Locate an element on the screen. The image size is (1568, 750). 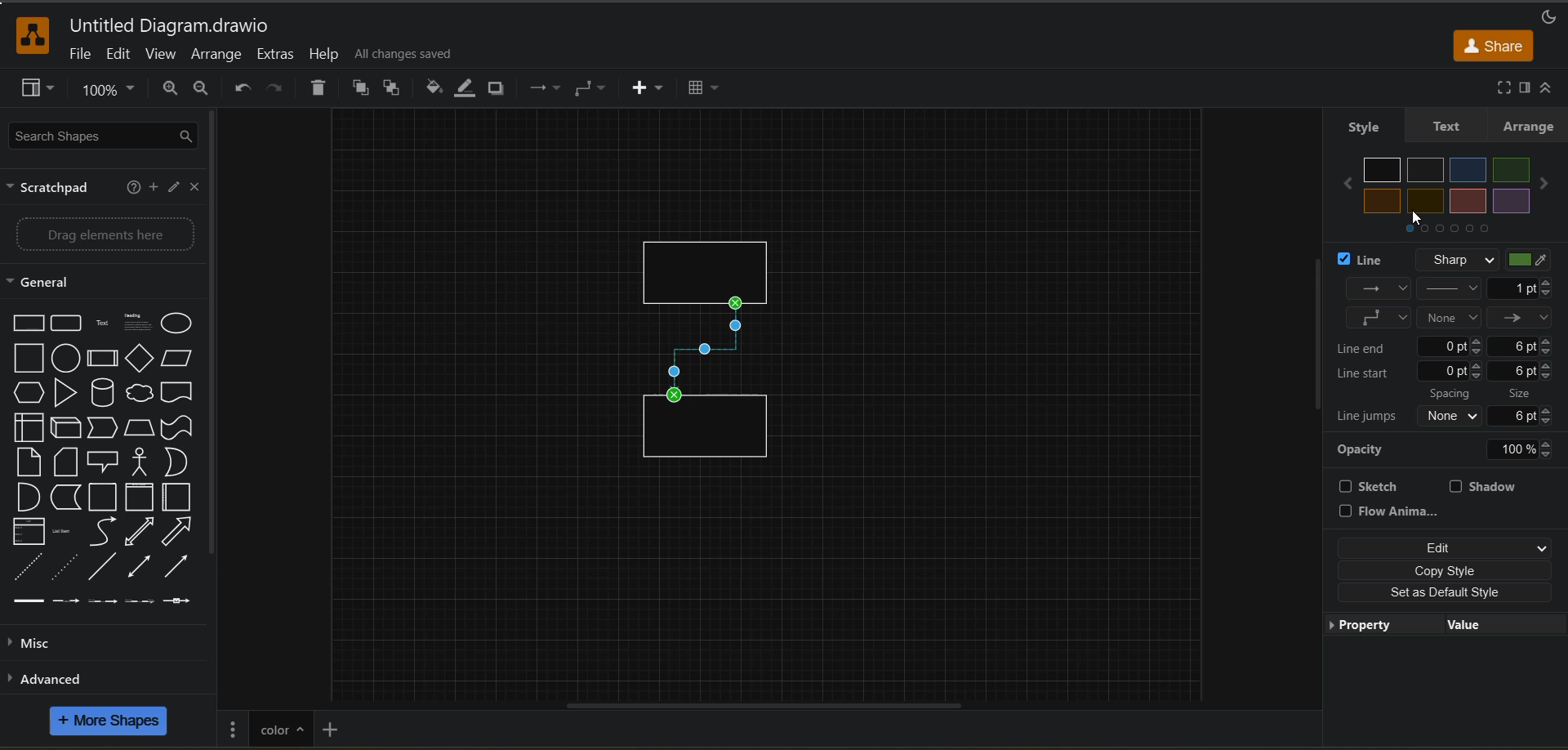
Rounded Rectangle is located at coordinates (68, 323).